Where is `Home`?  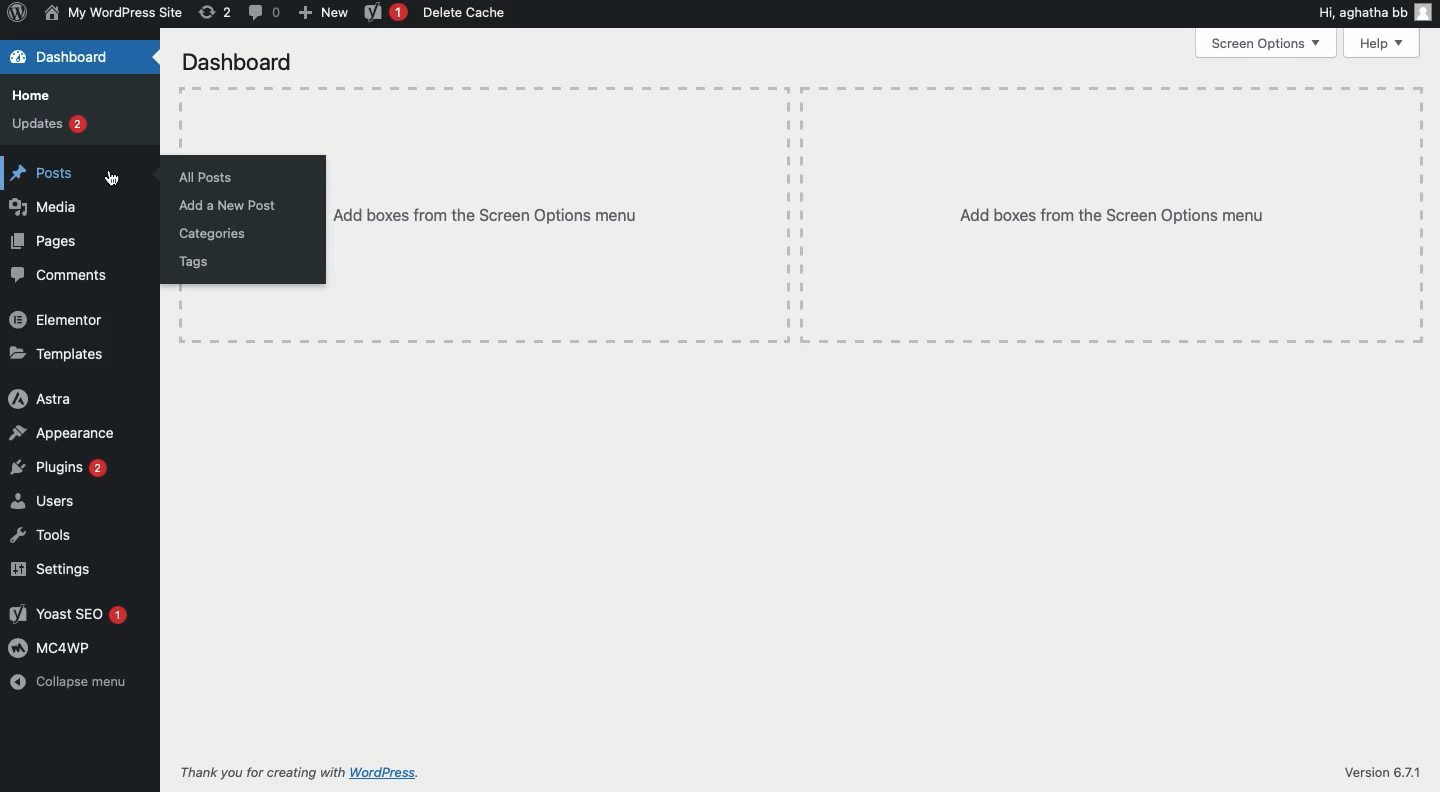 Home is located at coordinates (37, 95).